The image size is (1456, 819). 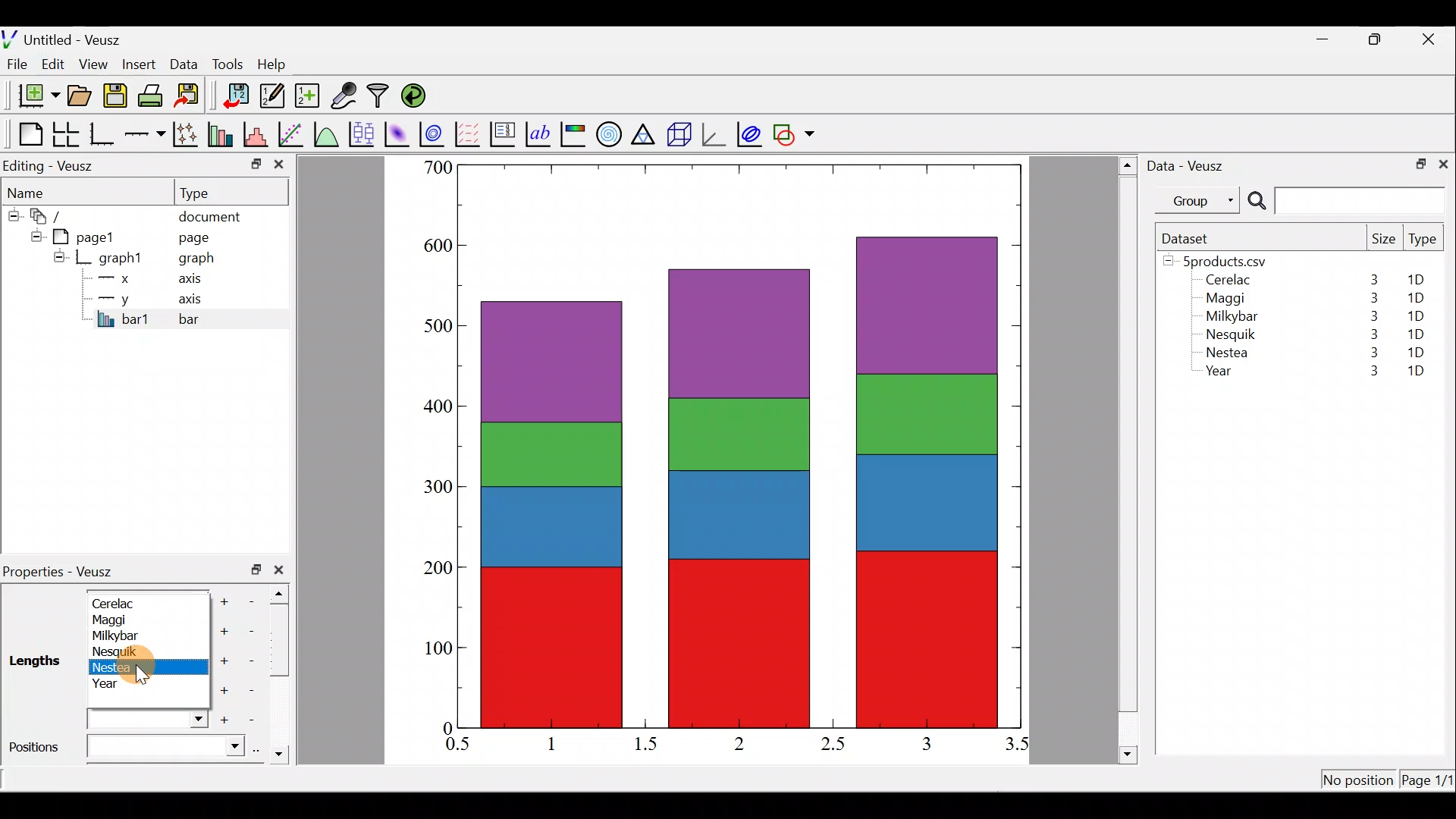 What do you see at coordinates (1416, 372) in the screenshot?
I see `1D` at bounding box center [1416, 372].